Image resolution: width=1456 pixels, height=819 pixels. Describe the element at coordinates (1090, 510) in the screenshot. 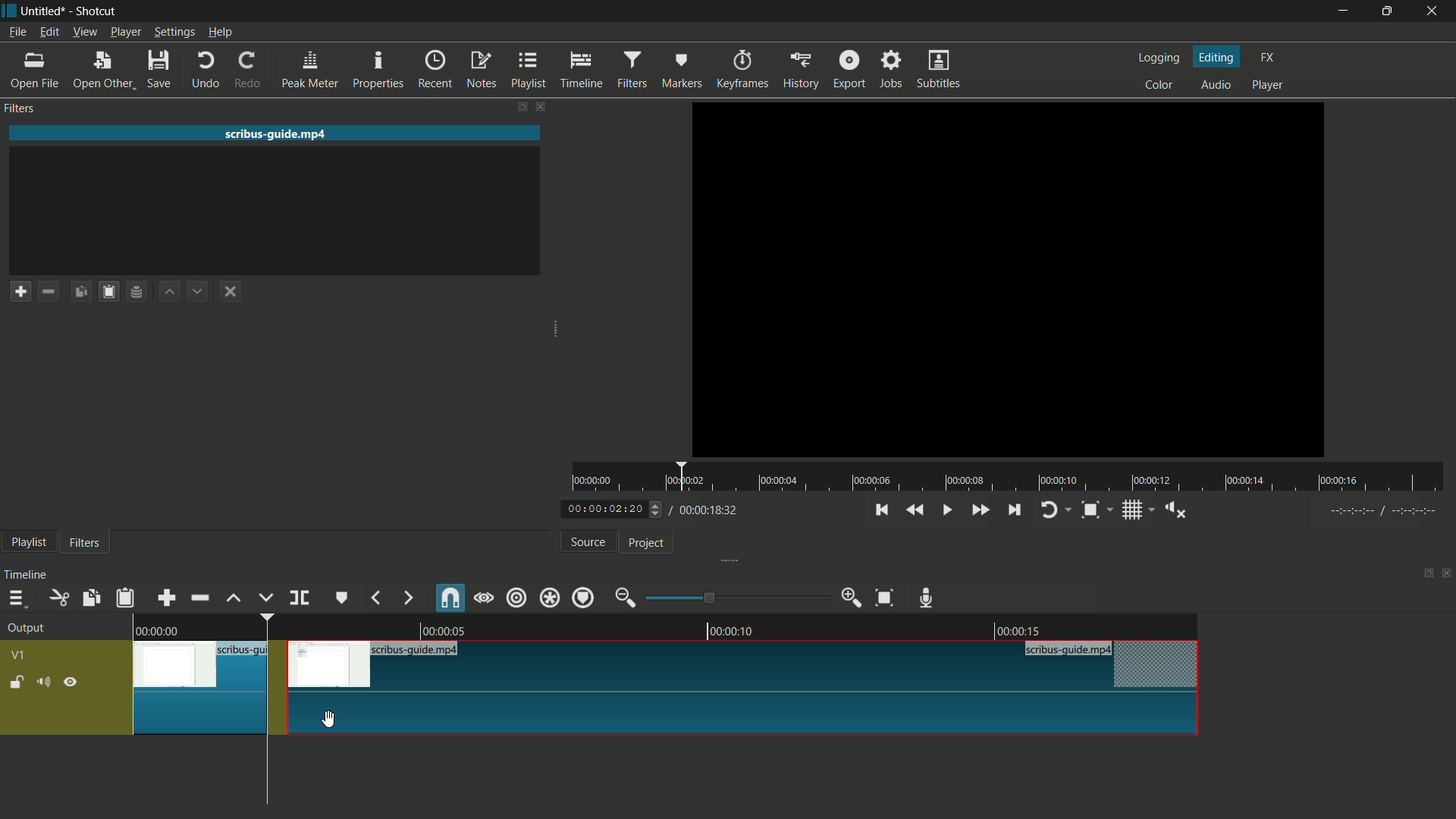

I see `toggle zoom` at that location.